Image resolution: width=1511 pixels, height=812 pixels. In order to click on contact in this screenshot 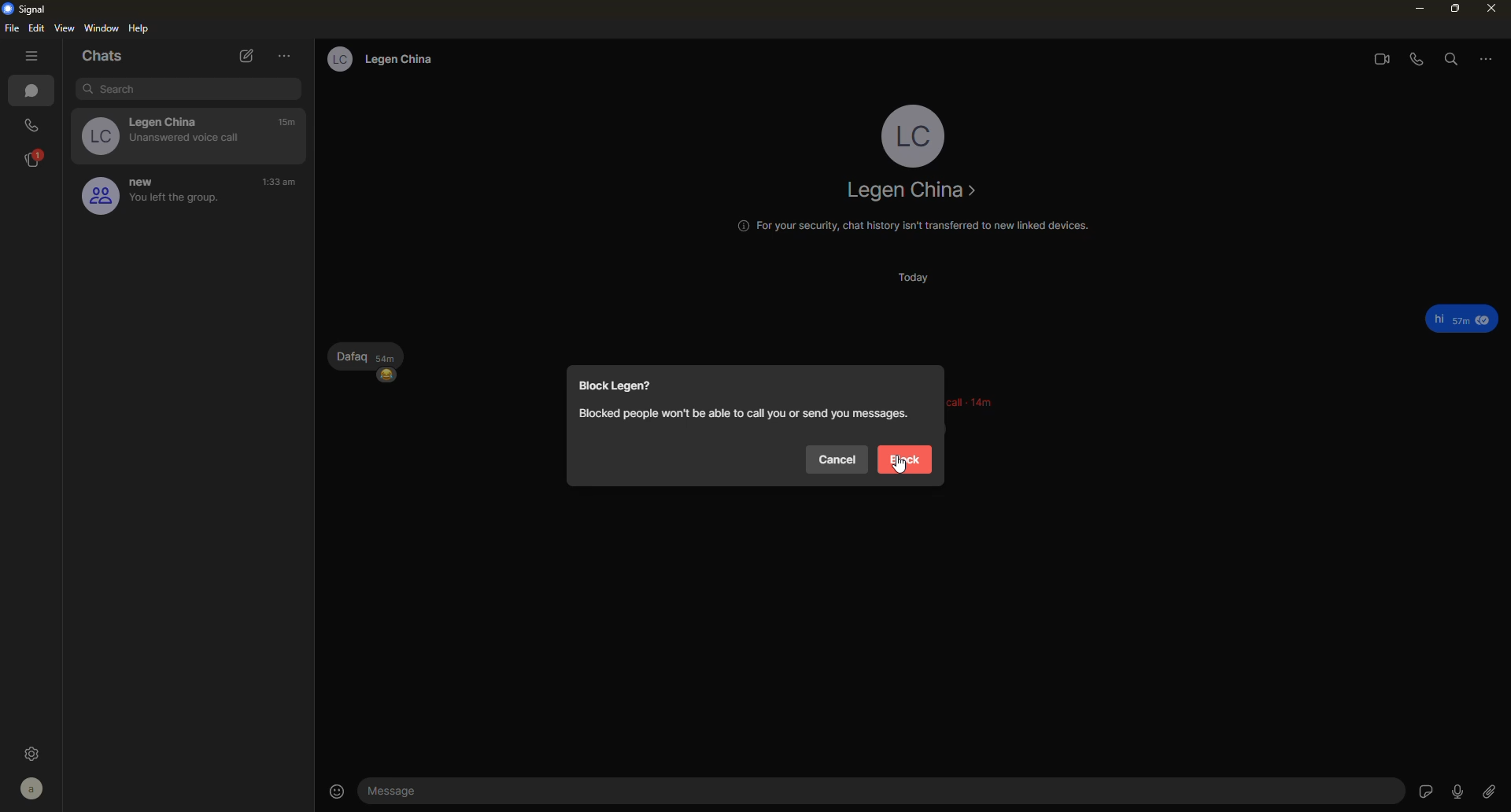, I will do `click(912, 194)`.